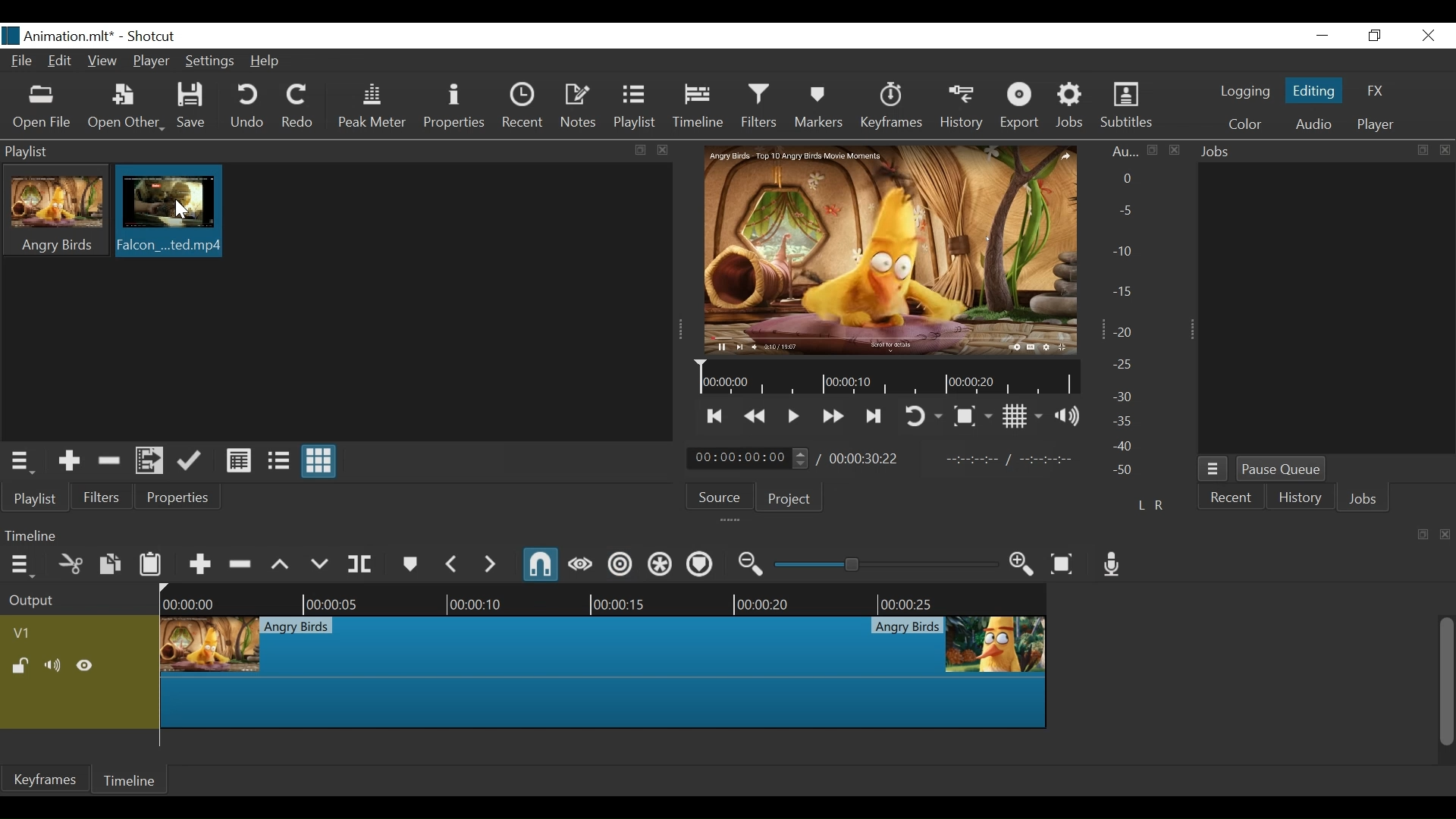 This screenshot has width=1456, height=819. Describe the element at coordinates (265, 61) in the screenshot. I see `Help` at that location.